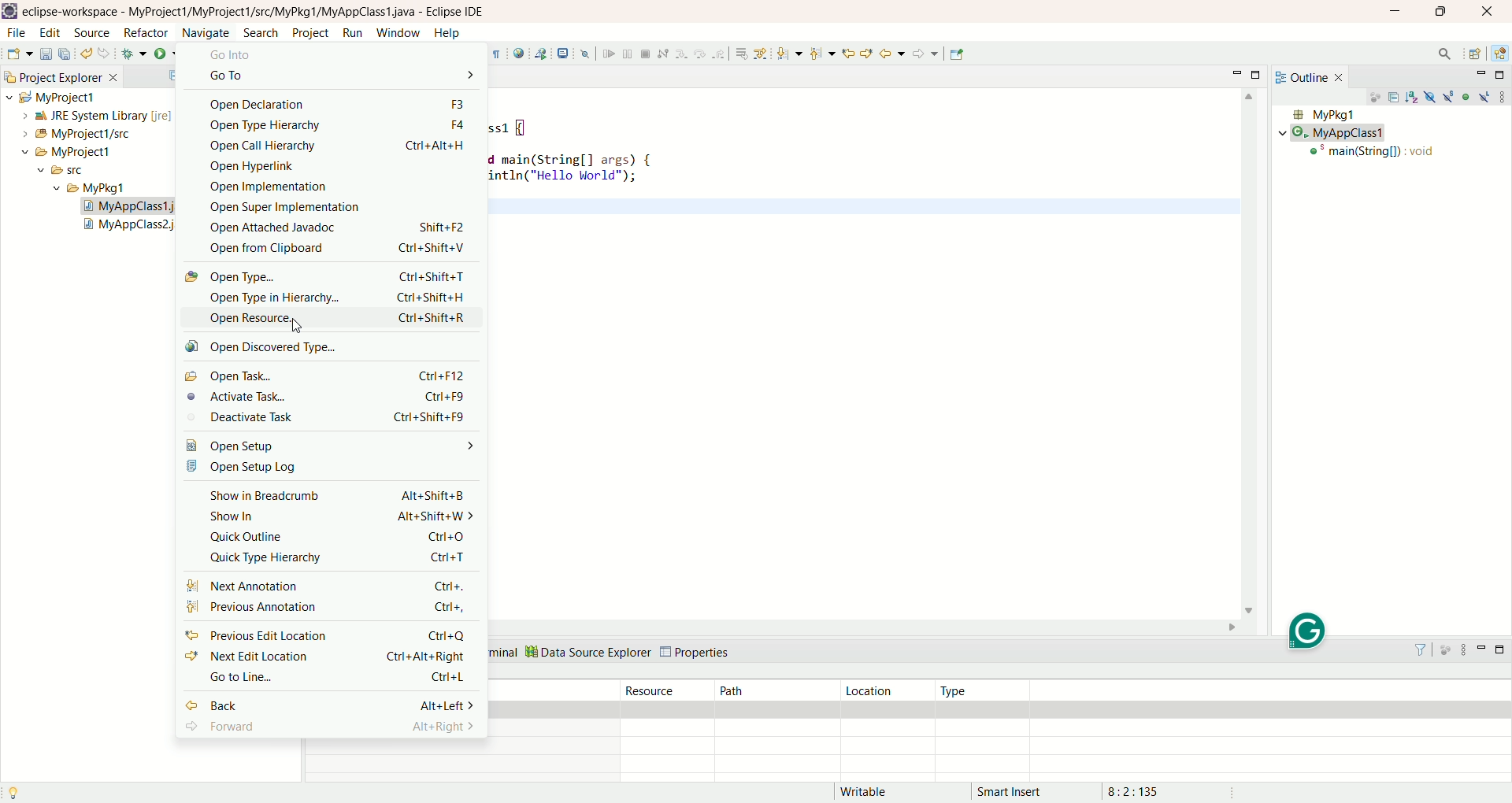  Describe the element at coordinates (1376, 154) in the screenshot. I see `main string` at that location.